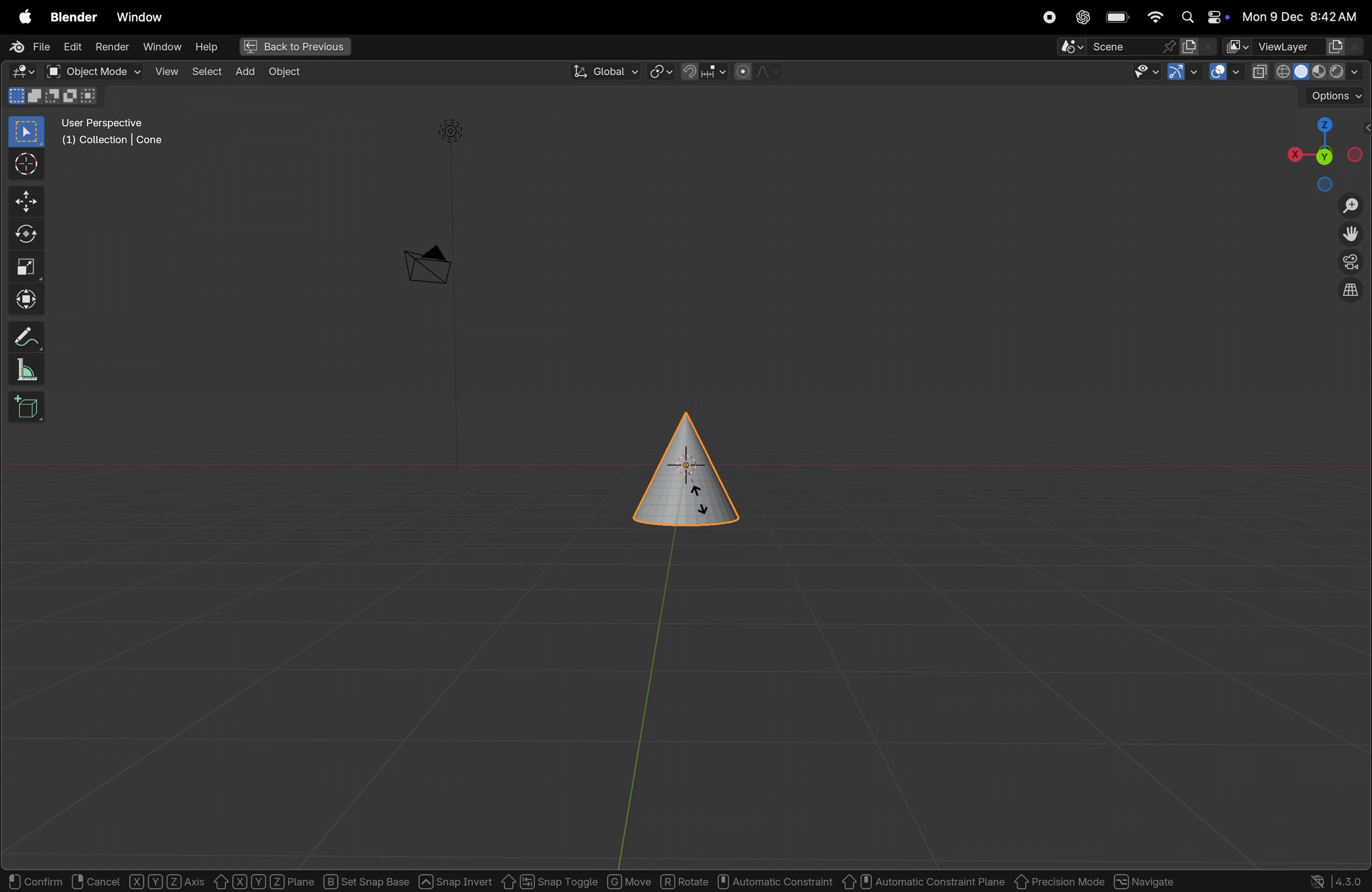 The height and width of the screenshot is (892, 1372). Describe the element at coordinates (296, 47) in the screenshot. I see `back to previous` at that location.